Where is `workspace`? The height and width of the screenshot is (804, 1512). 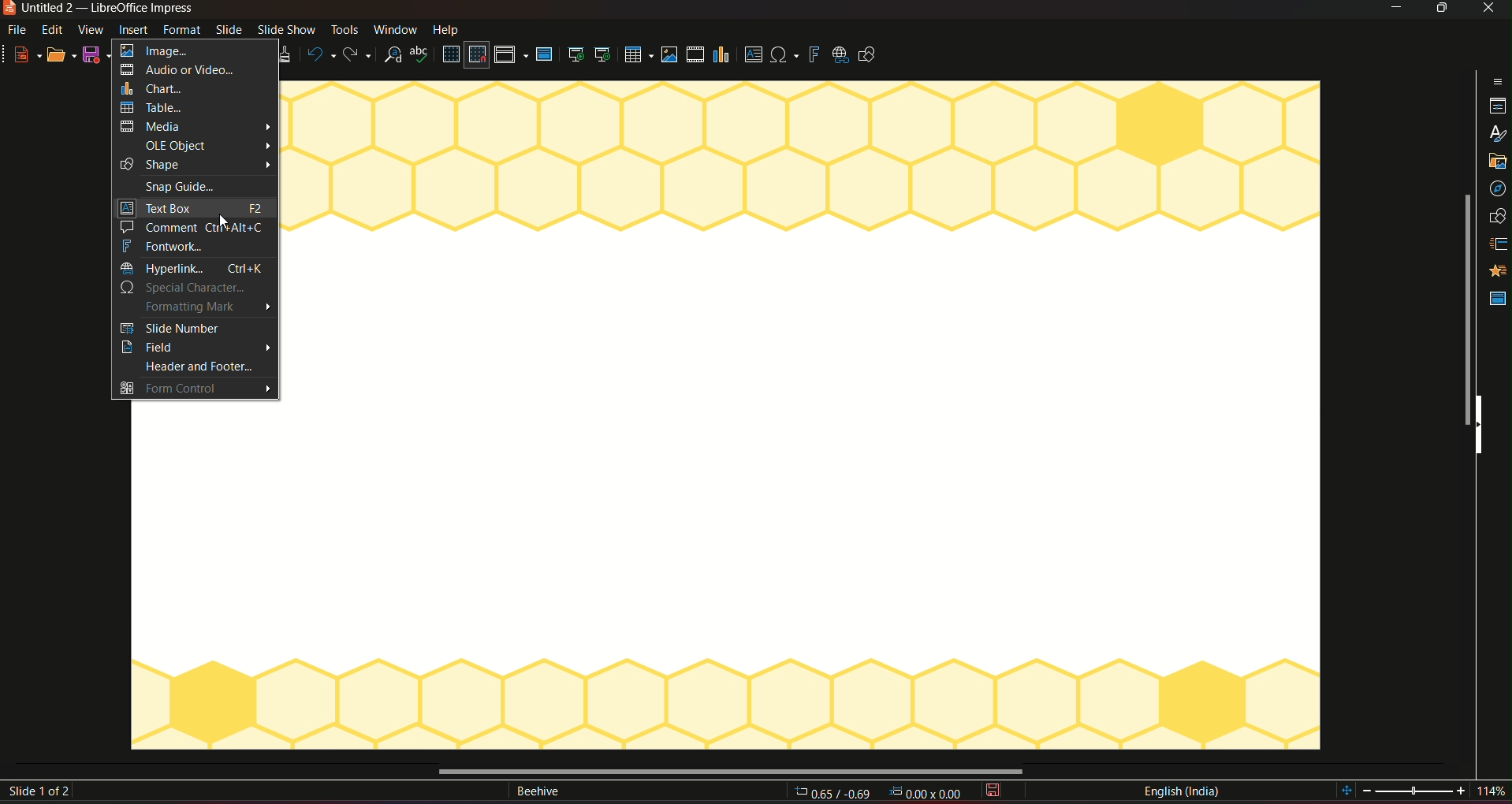 workspace is located at coordinates (206, 575).